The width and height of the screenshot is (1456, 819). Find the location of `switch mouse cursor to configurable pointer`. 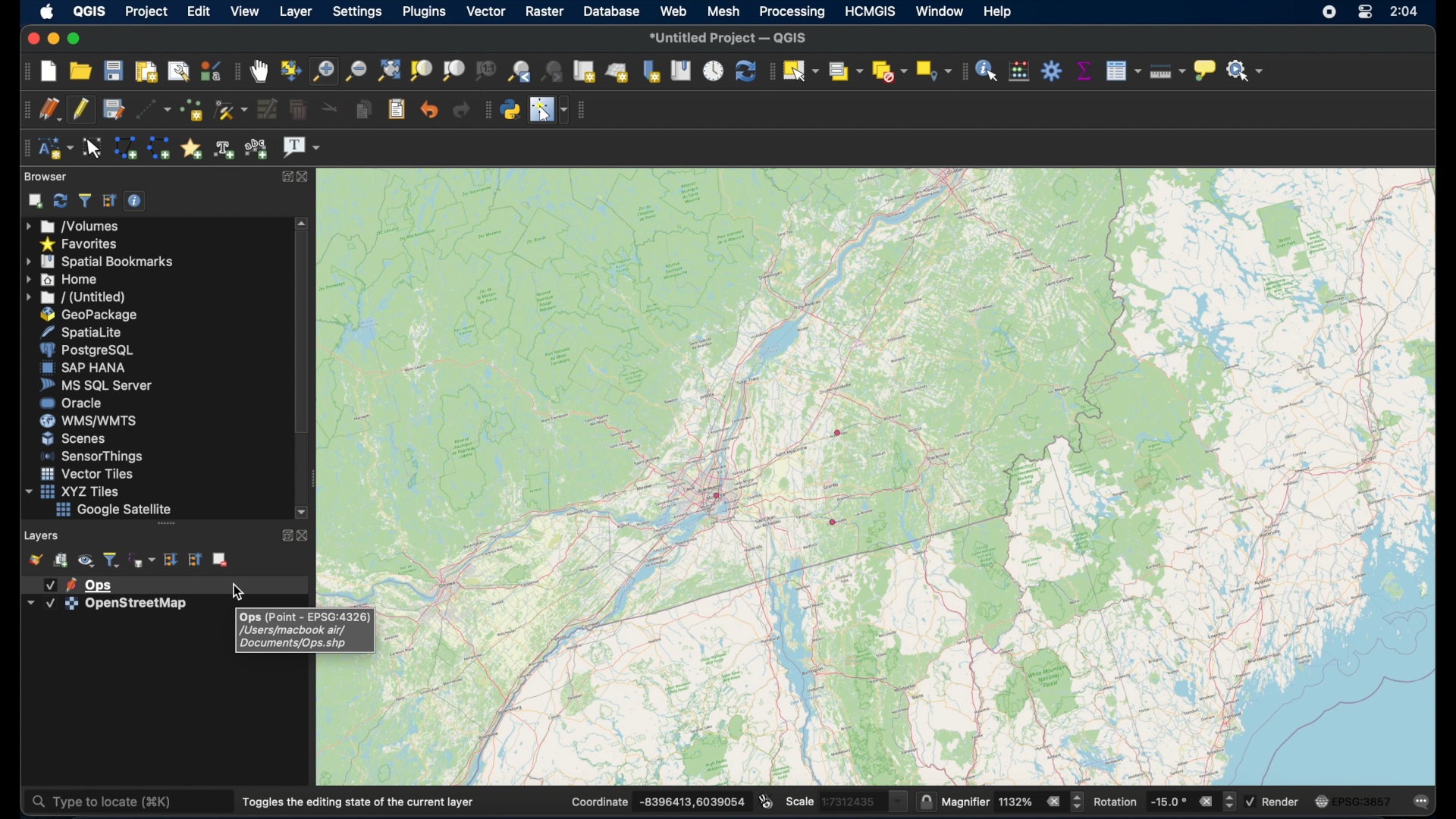

switch mouse cursor to configurable pointer is located at coordinates (548, 108).